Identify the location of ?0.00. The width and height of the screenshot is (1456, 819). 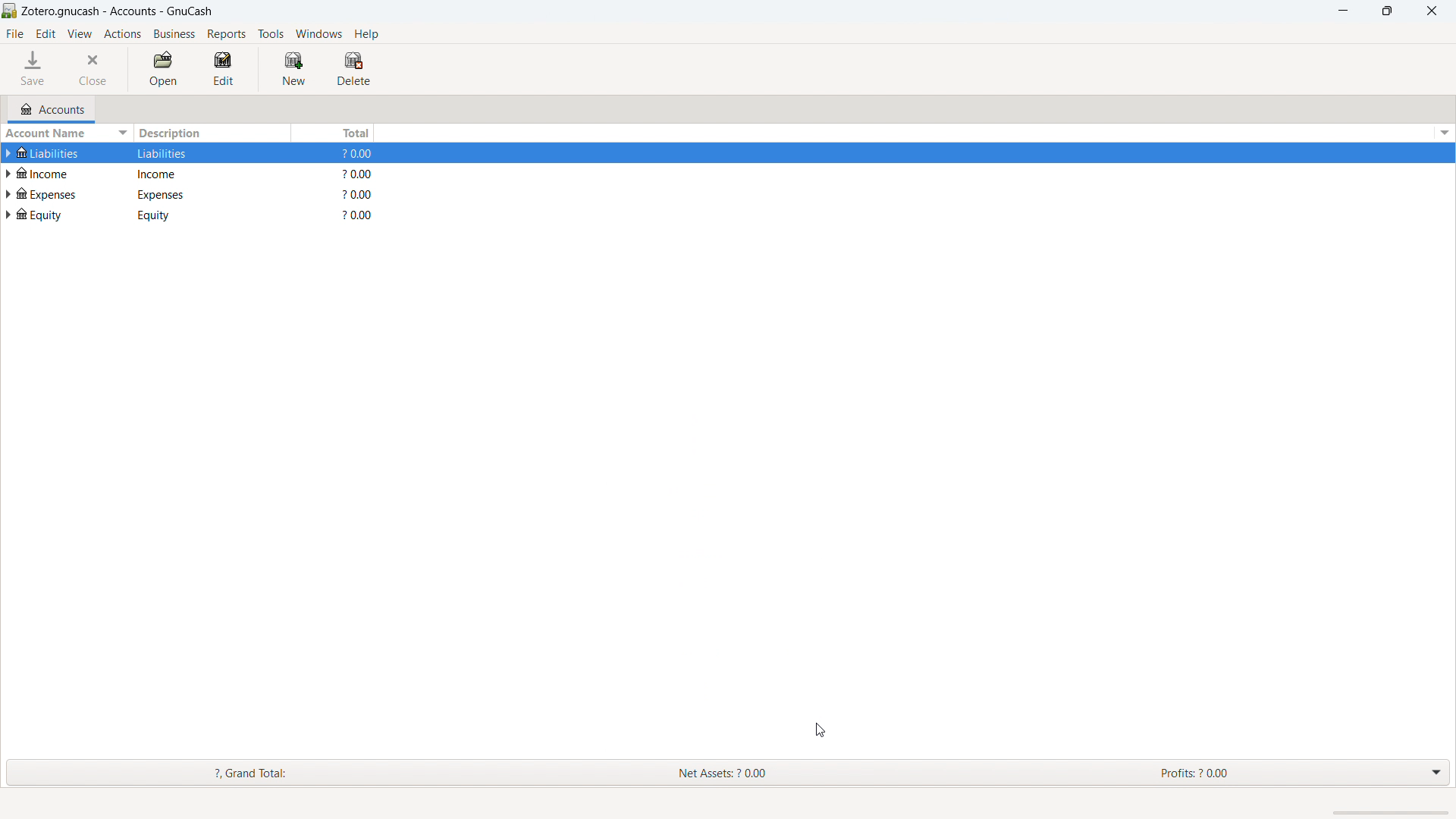
(359, 194).